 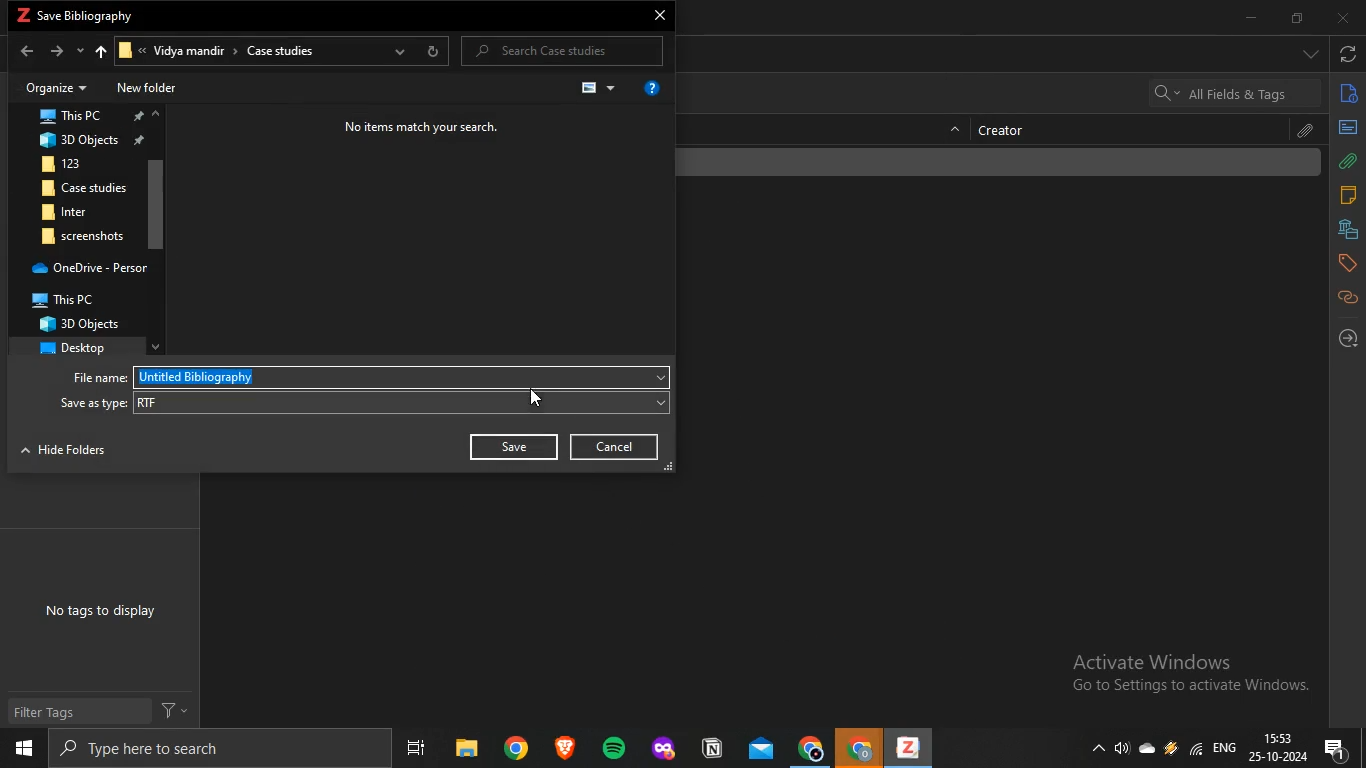 I want to click on sync with zotero.org, so click(x=1349, y=52).